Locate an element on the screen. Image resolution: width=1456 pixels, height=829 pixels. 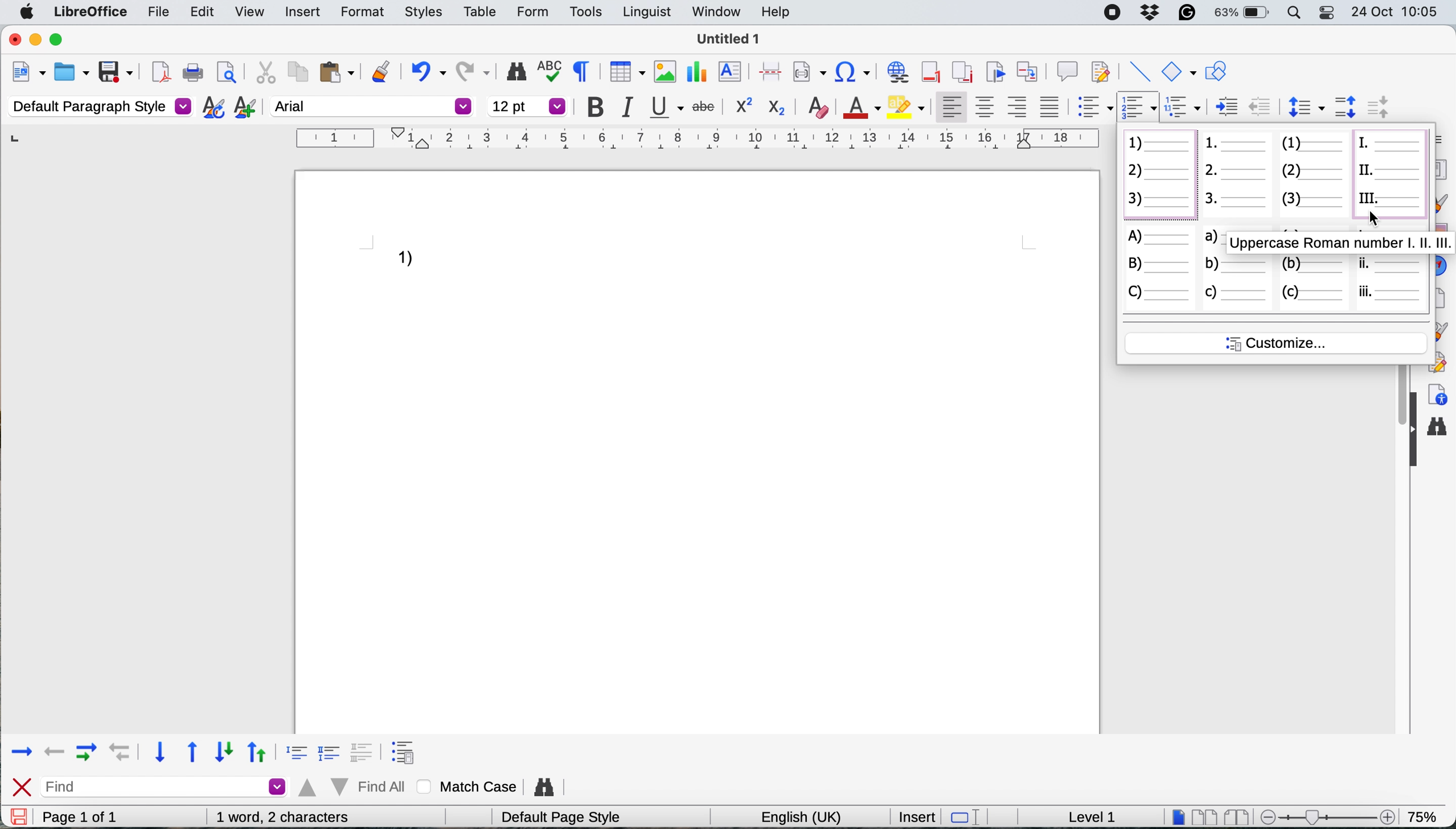
bold is located at coordinates (600, 108).